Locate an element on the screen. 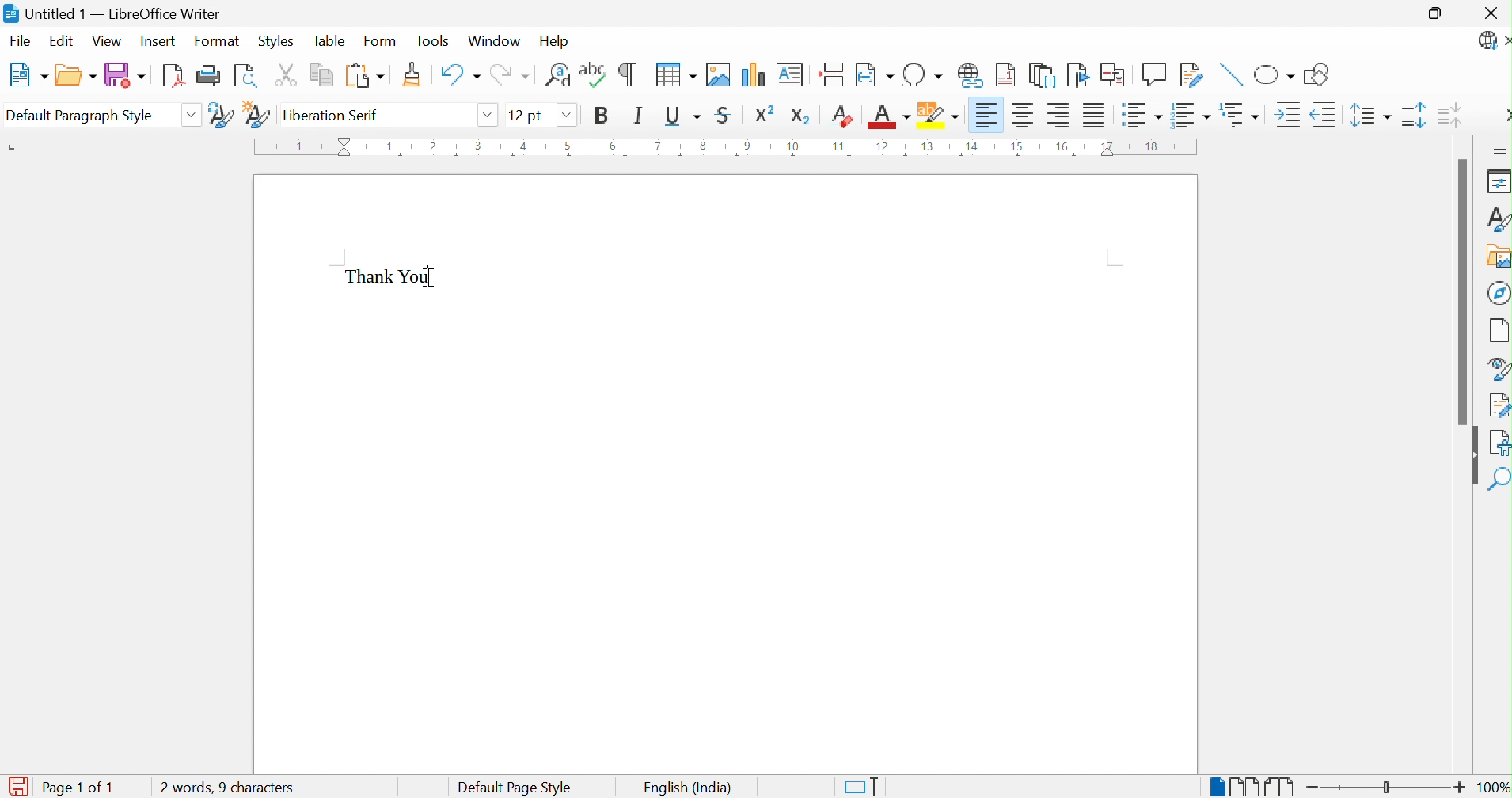 This screenshot has height=798, width=1512. More is located at coordinates (1503, 116).